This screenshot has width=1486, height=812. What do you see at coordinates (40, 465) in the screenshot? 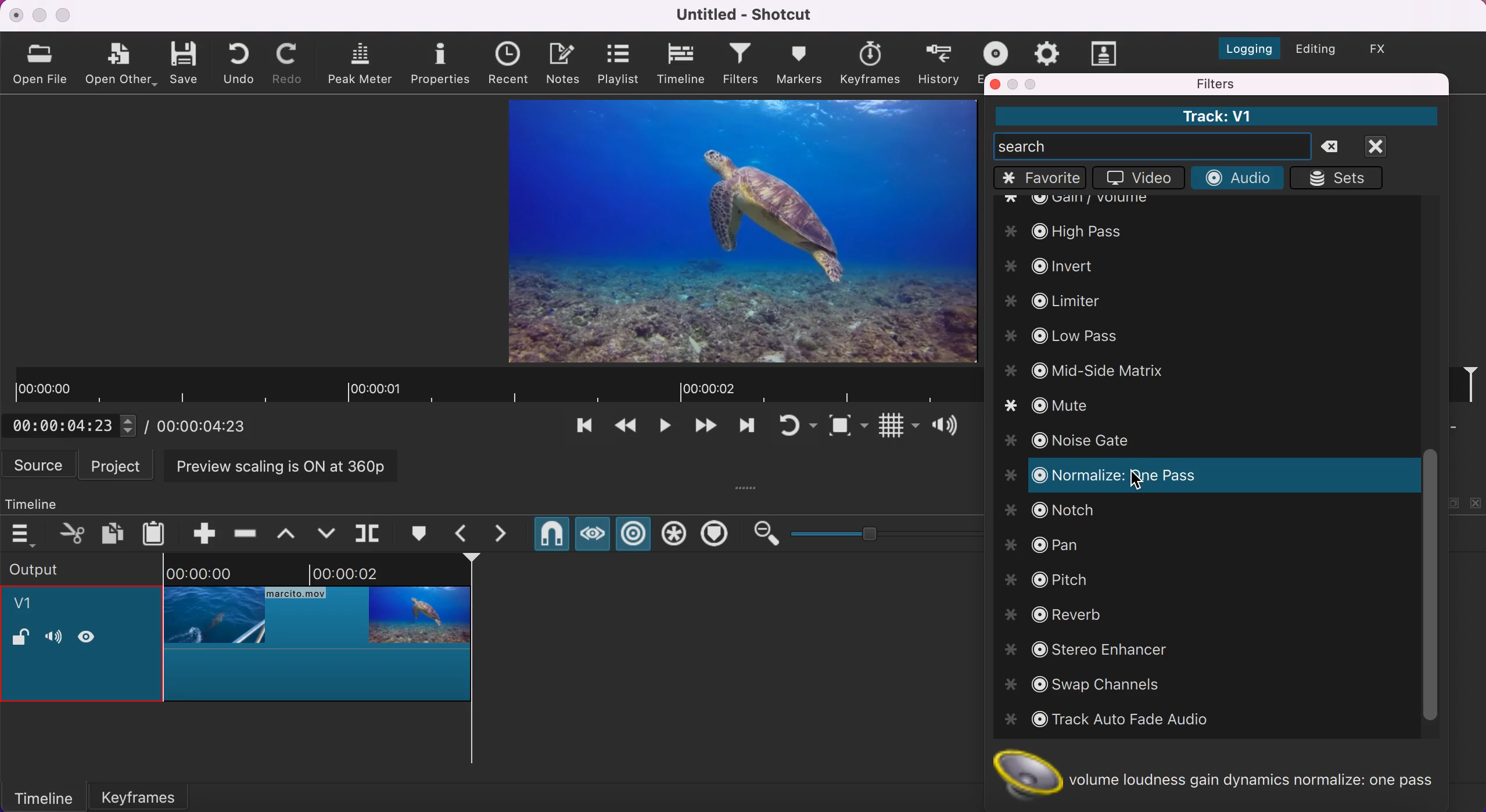
I see `source` at bounding box center [40, 465].